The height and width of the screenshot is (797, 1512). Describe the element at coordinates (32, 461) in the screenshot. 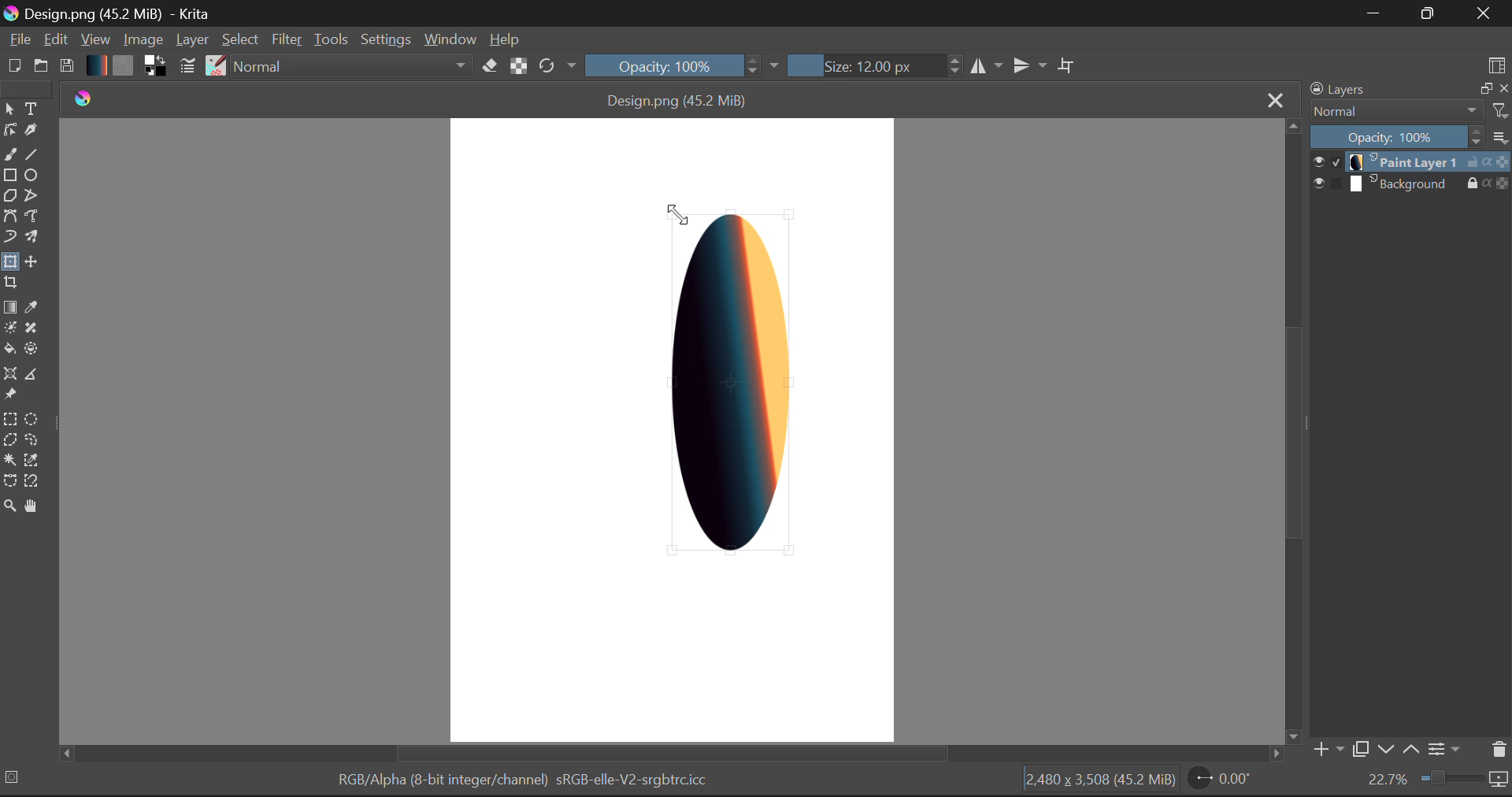

I see `Similar color Selector` at that location.